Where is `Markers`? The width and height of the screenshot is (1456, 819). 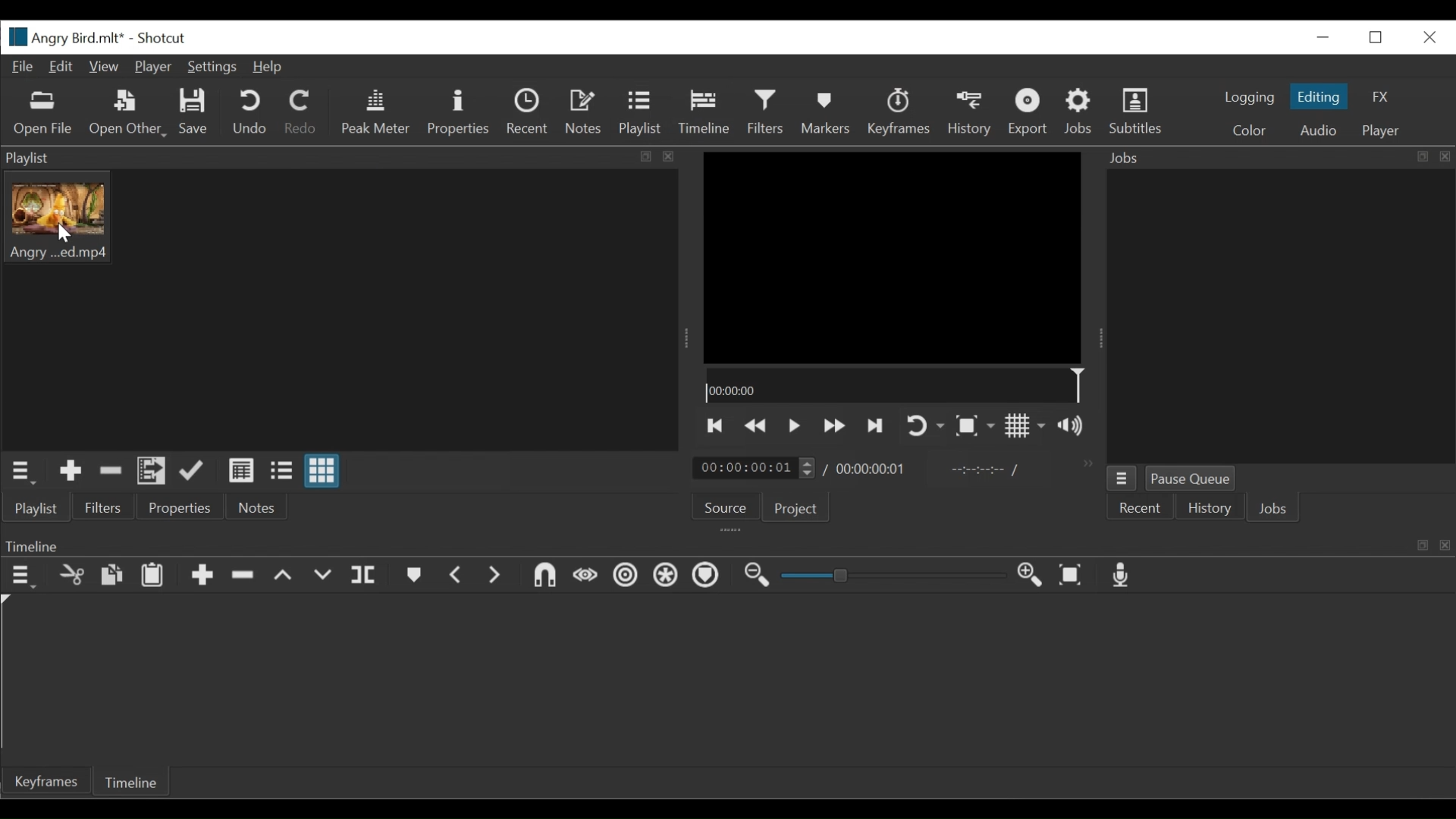 Markers is located at coordinates (825, 113).